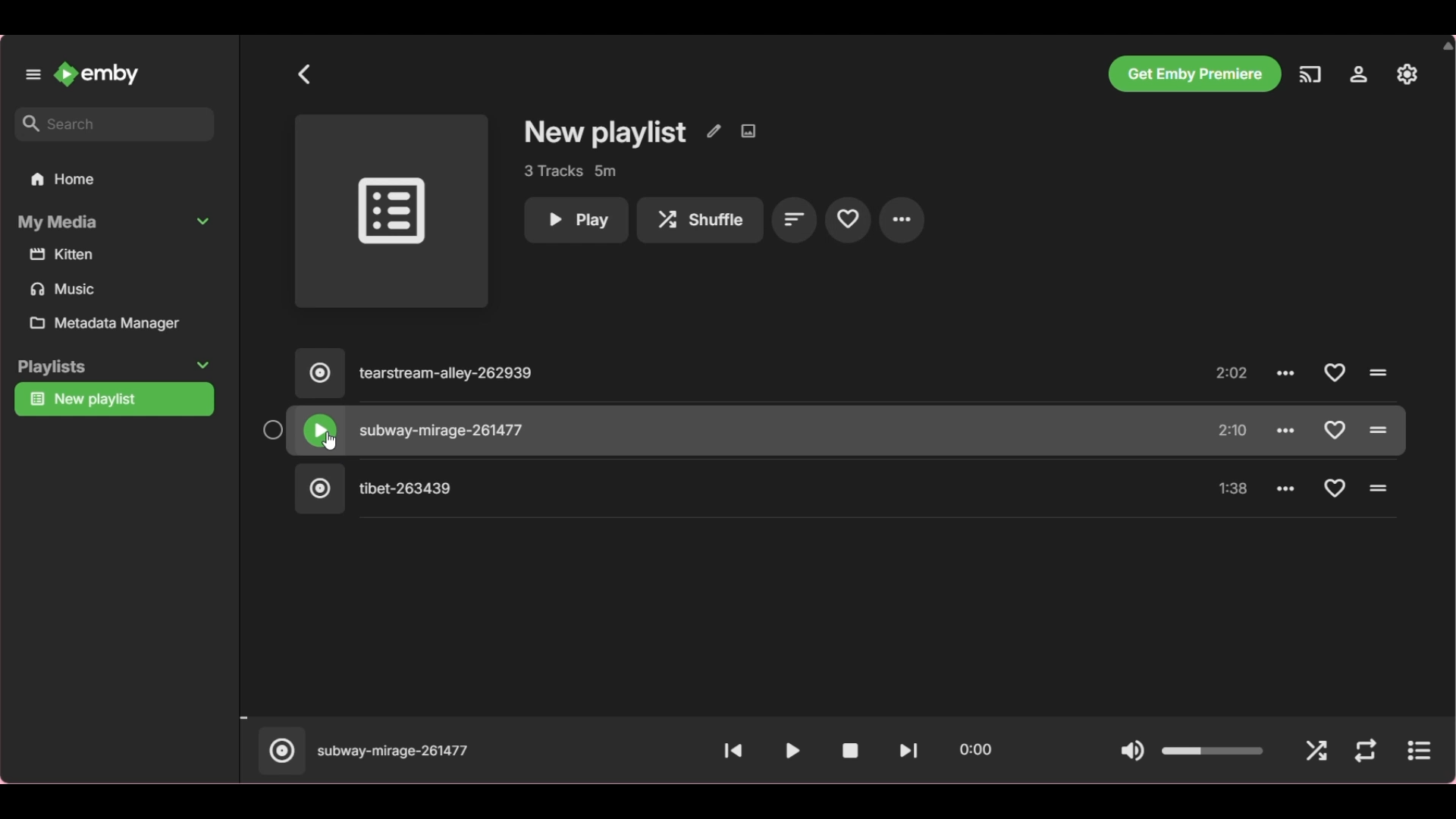 This screenshot has height=819, width=1456. I want to click on Show current song only, so click(1418, 751).